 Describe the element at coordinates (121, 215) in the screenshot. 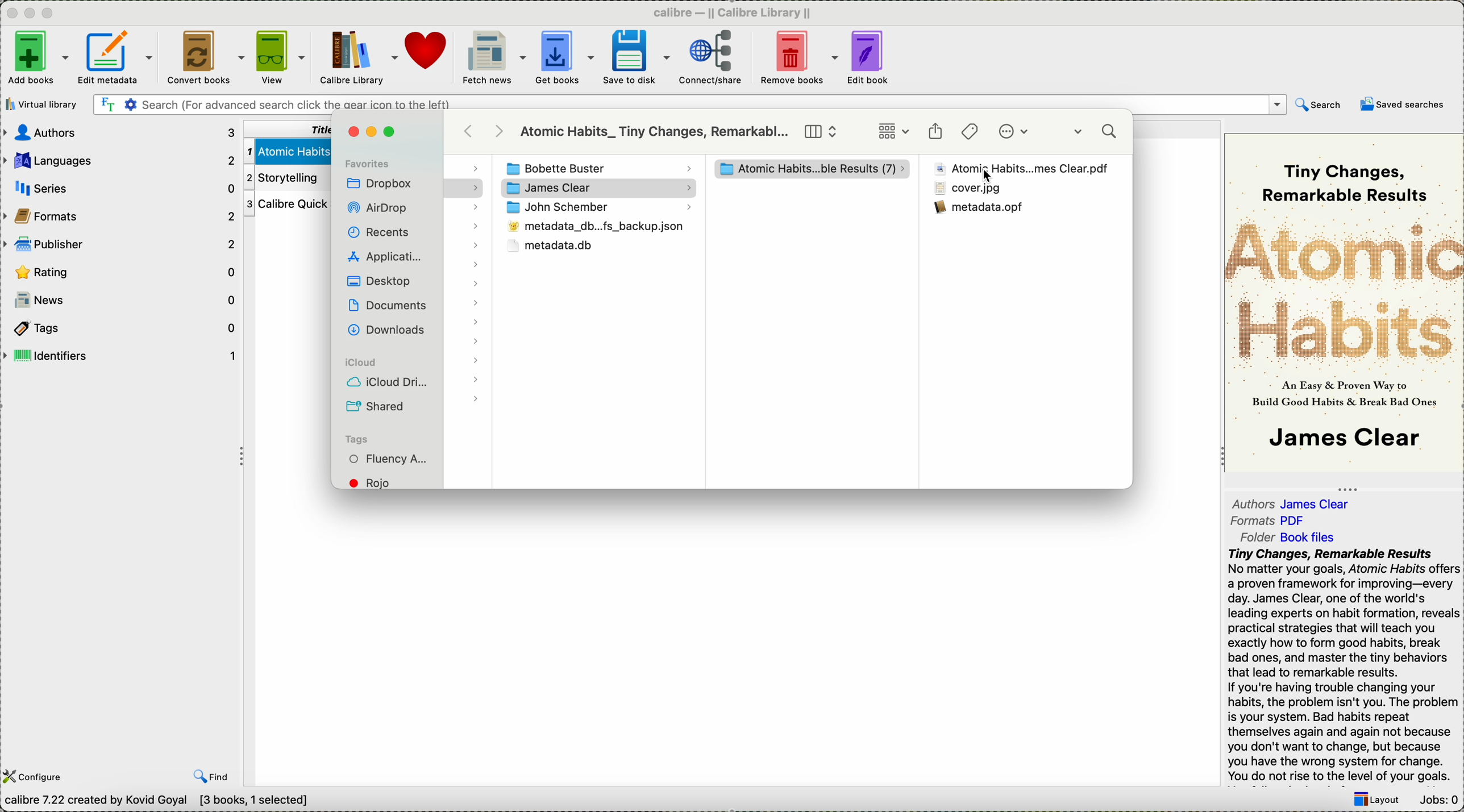

I see `formats` at that location.